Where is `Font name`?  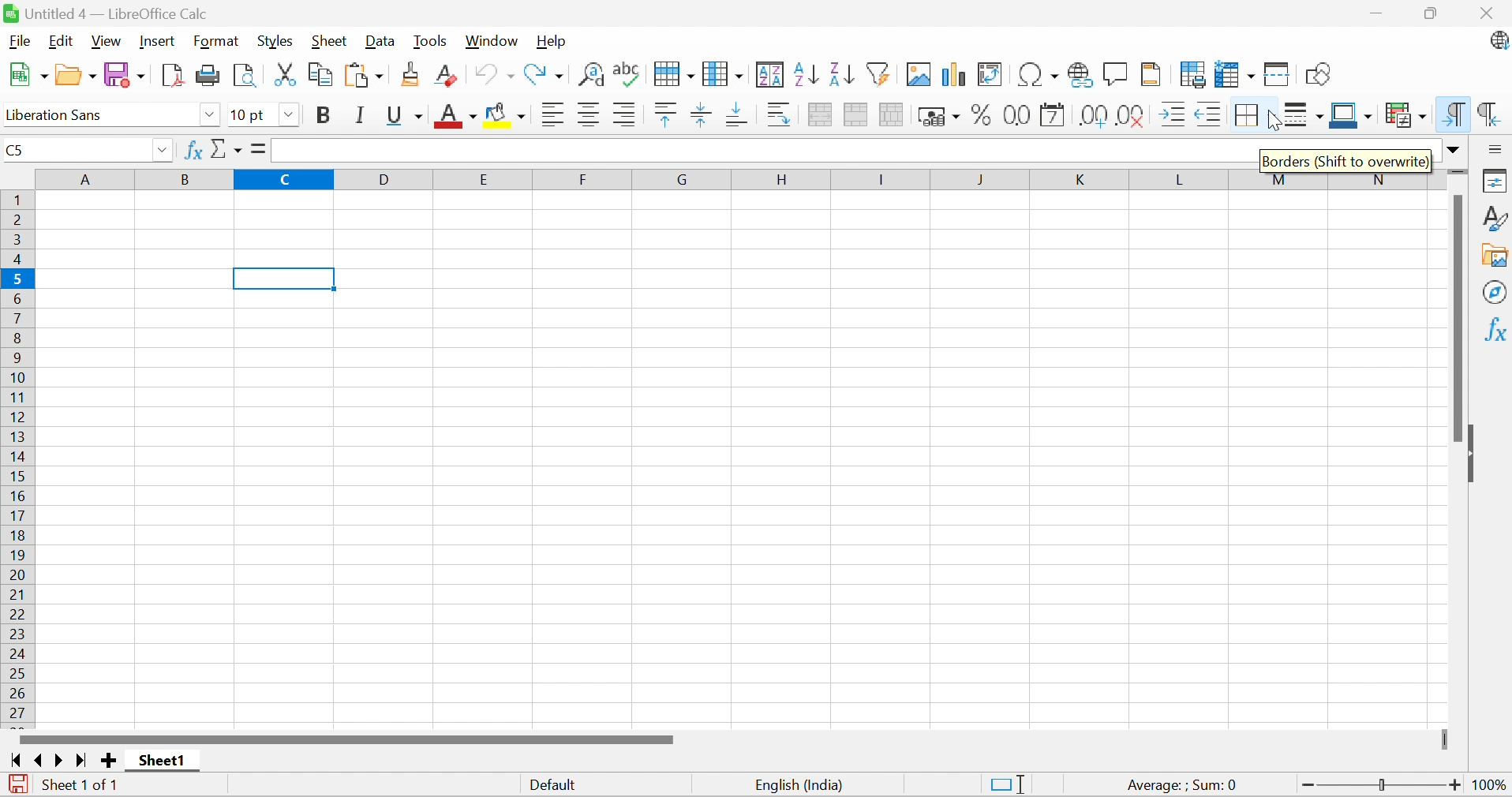
Font name is located at coordinates (97, 116).